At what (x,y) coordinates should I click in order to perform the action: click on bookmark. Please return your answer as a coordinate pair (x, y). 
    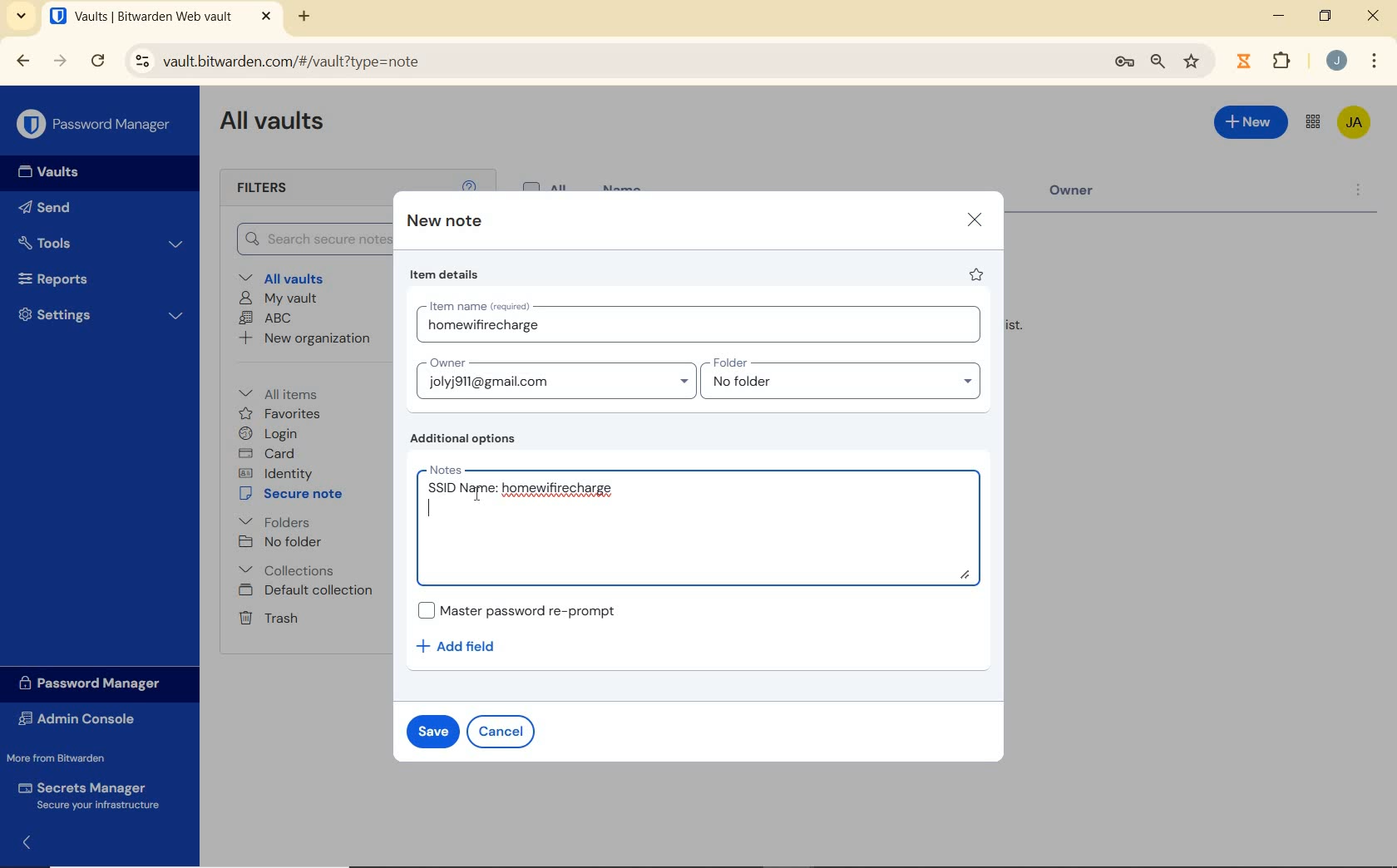
    Looking at the image, I should click on (1193, 62).